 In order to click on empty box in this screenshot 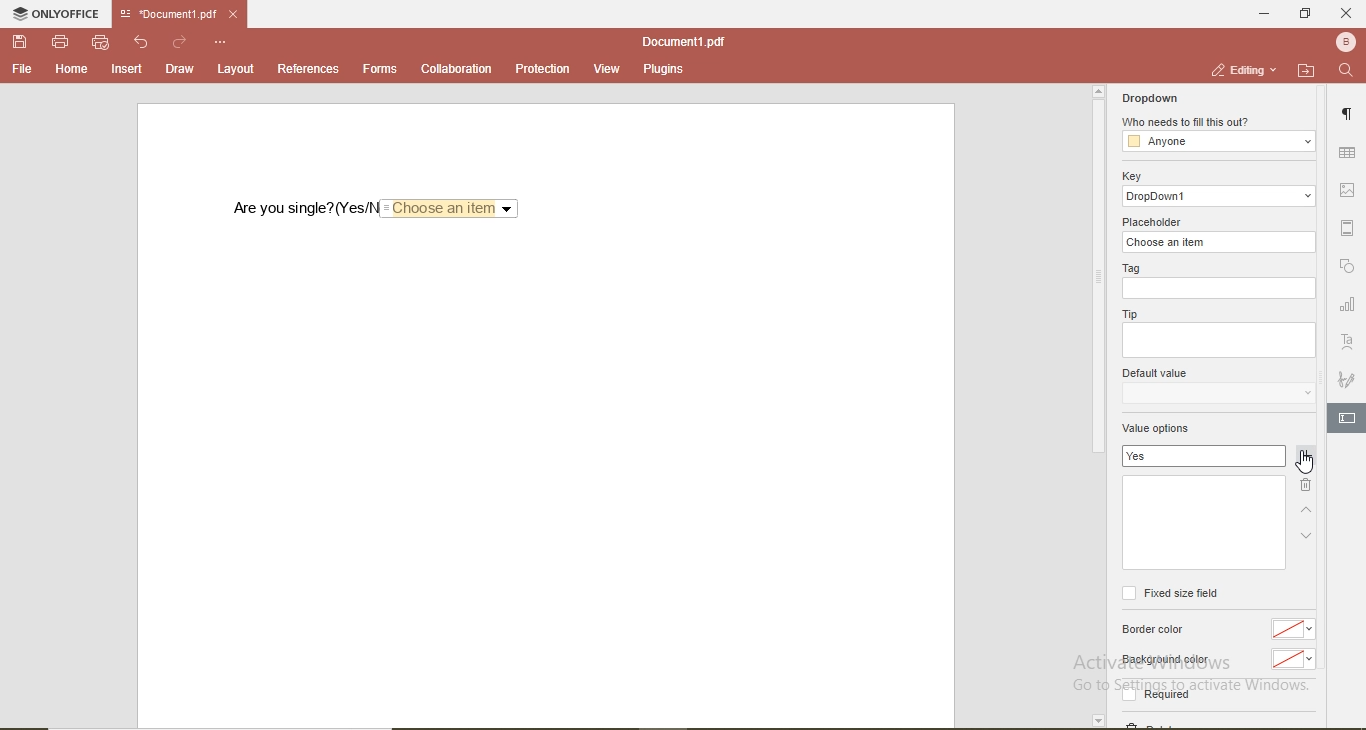, I will do `click(1221, 340)`.